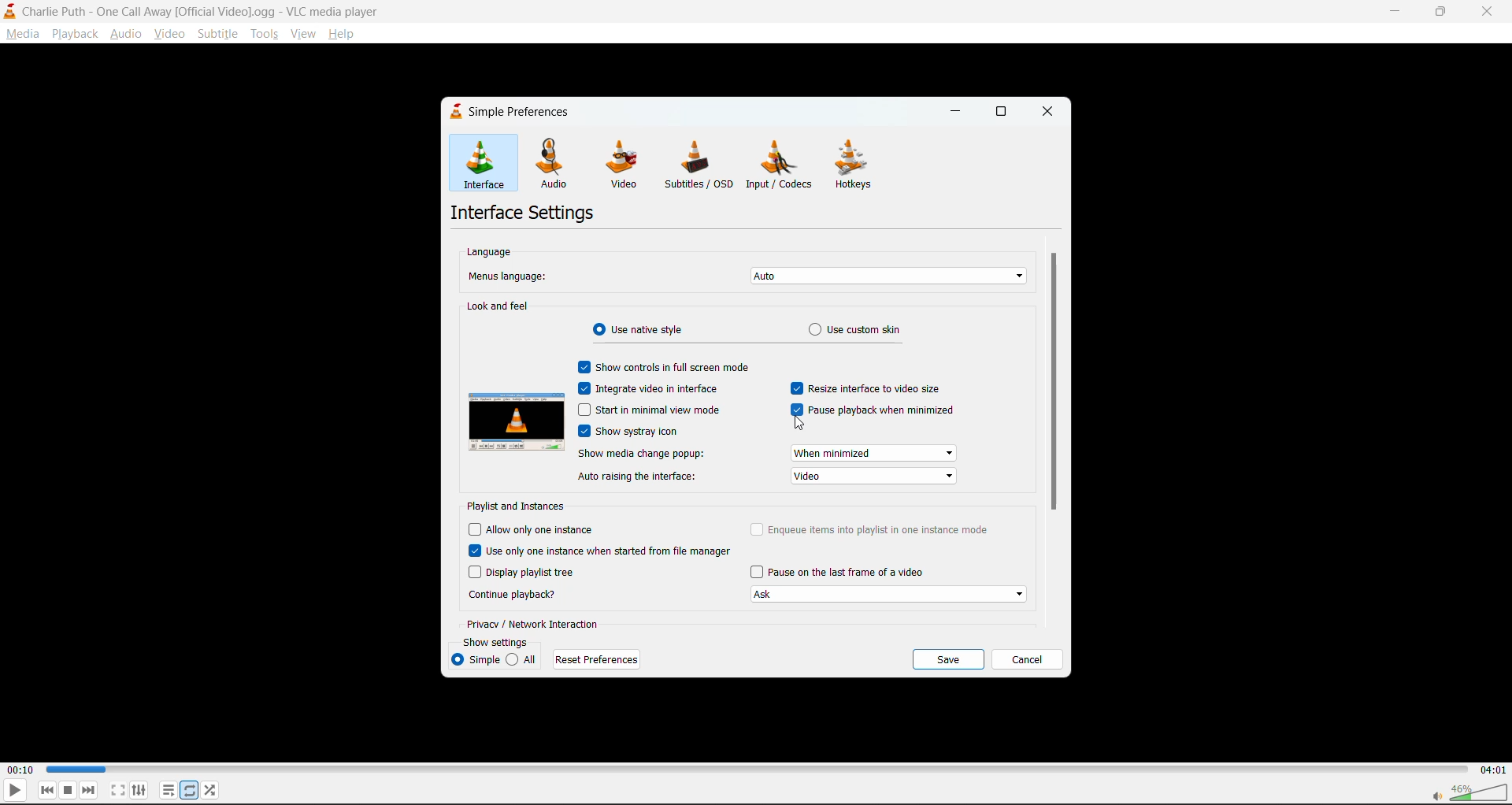  I want to click on privacy/network interaction, so click(534, 625).